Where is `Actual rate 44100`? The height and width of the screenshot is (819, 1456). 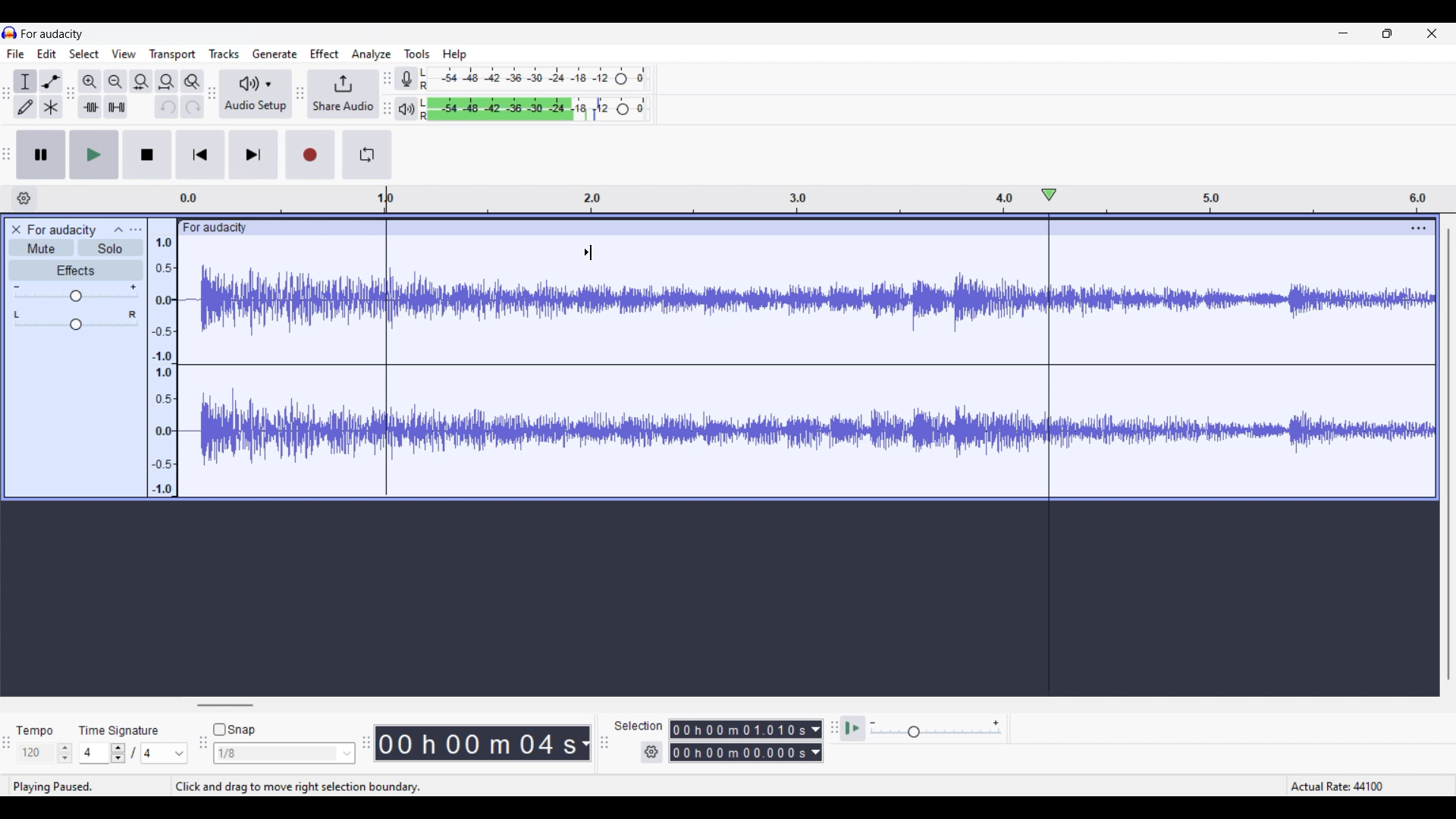
Actual rate 44100 is located at coordinates (1348, 778).